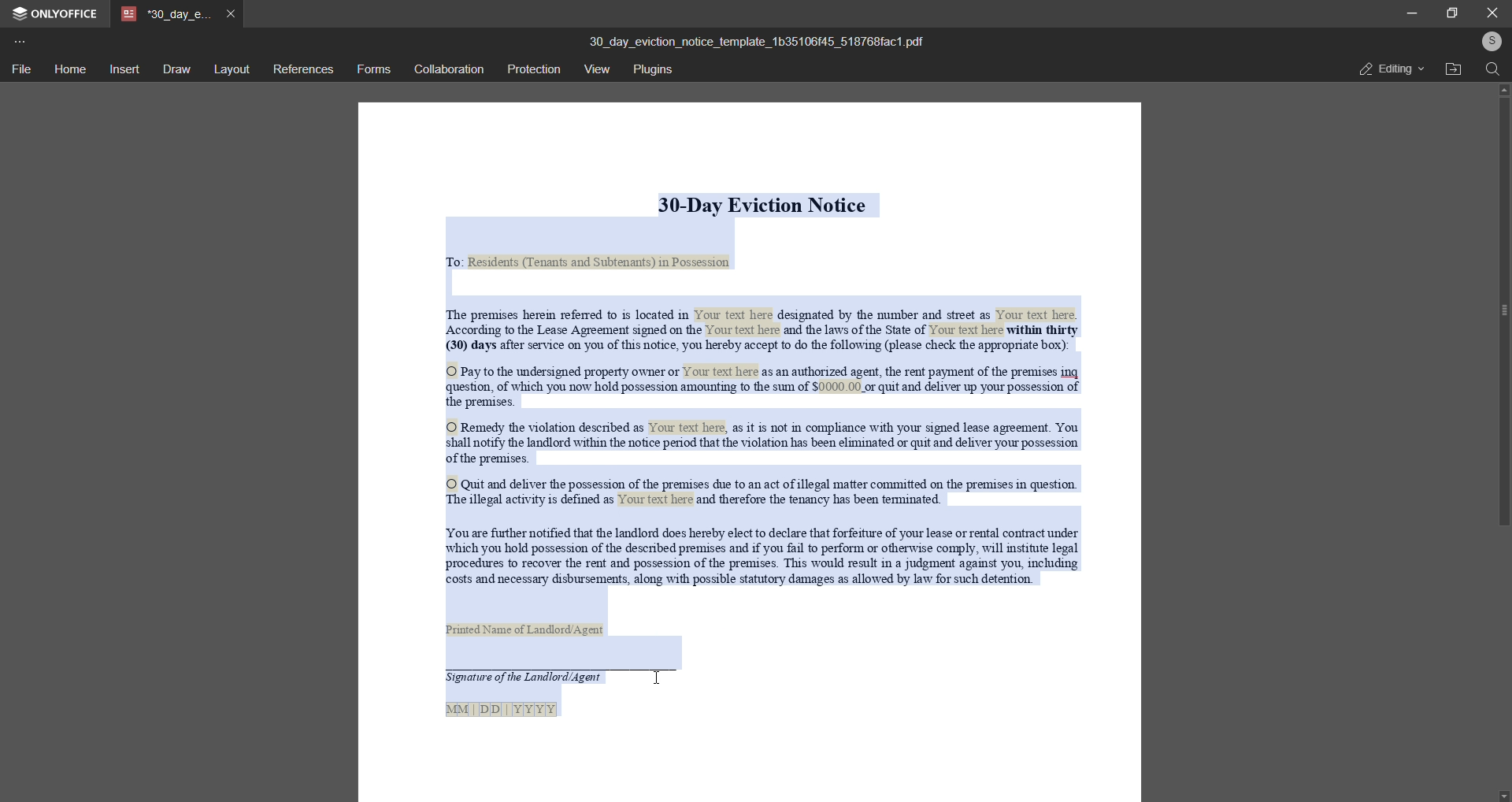  I want to click on plugins, so click(658, 71).